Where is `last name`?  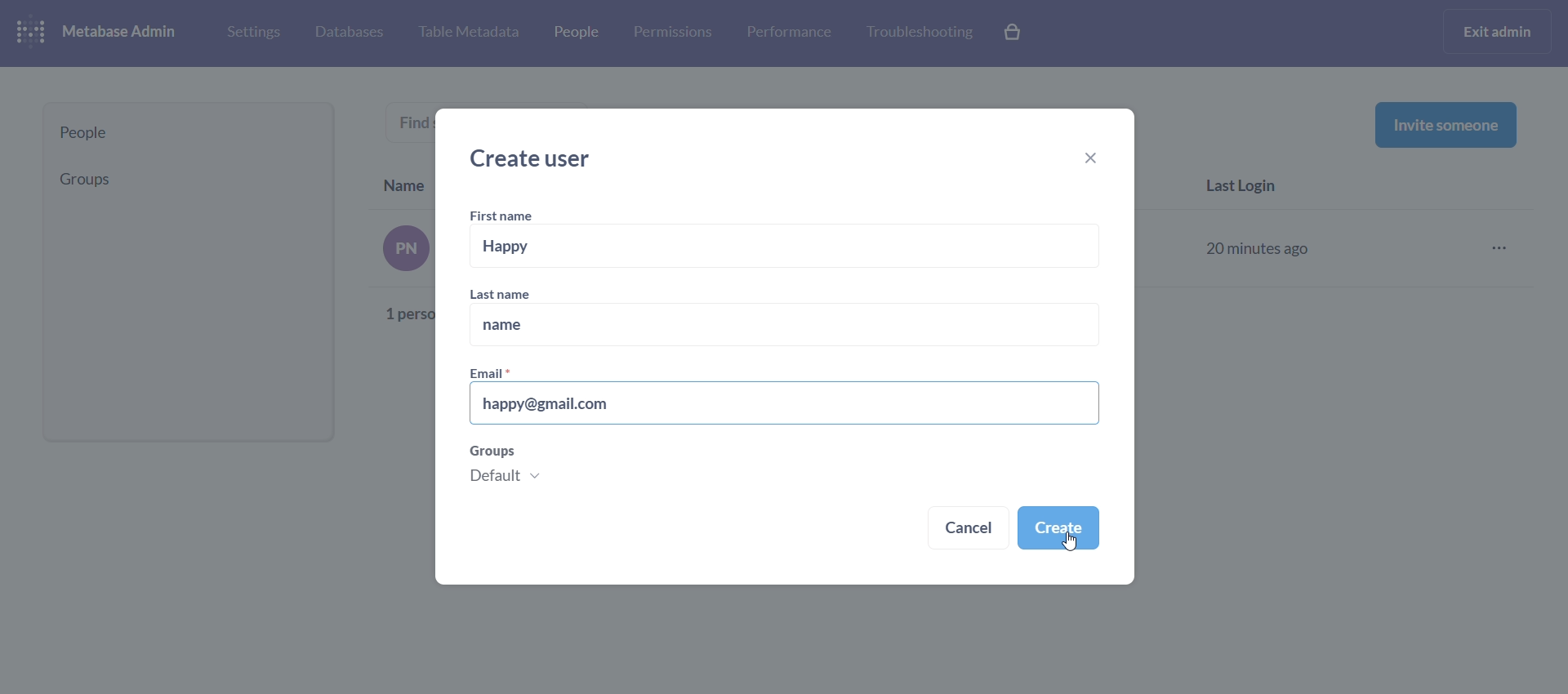
last name is located at coordinates (515, 293).